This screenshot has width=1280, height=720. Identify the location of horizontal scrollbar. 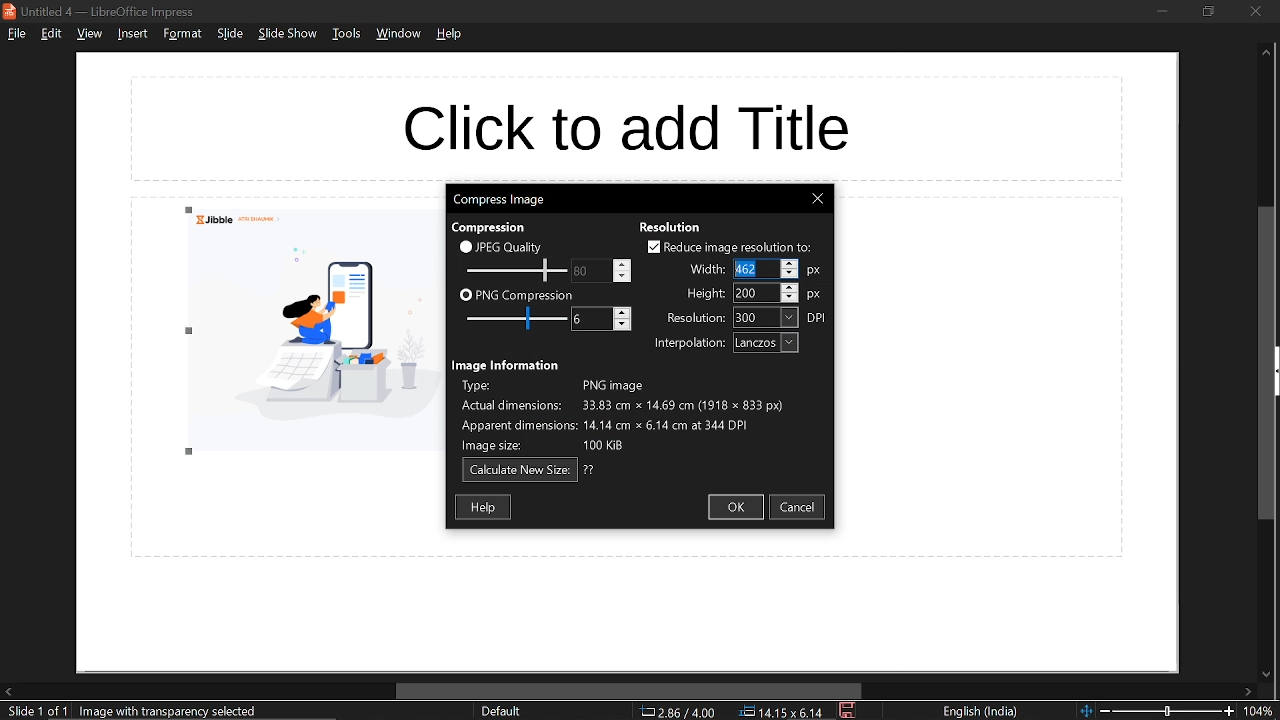
(630, 691).